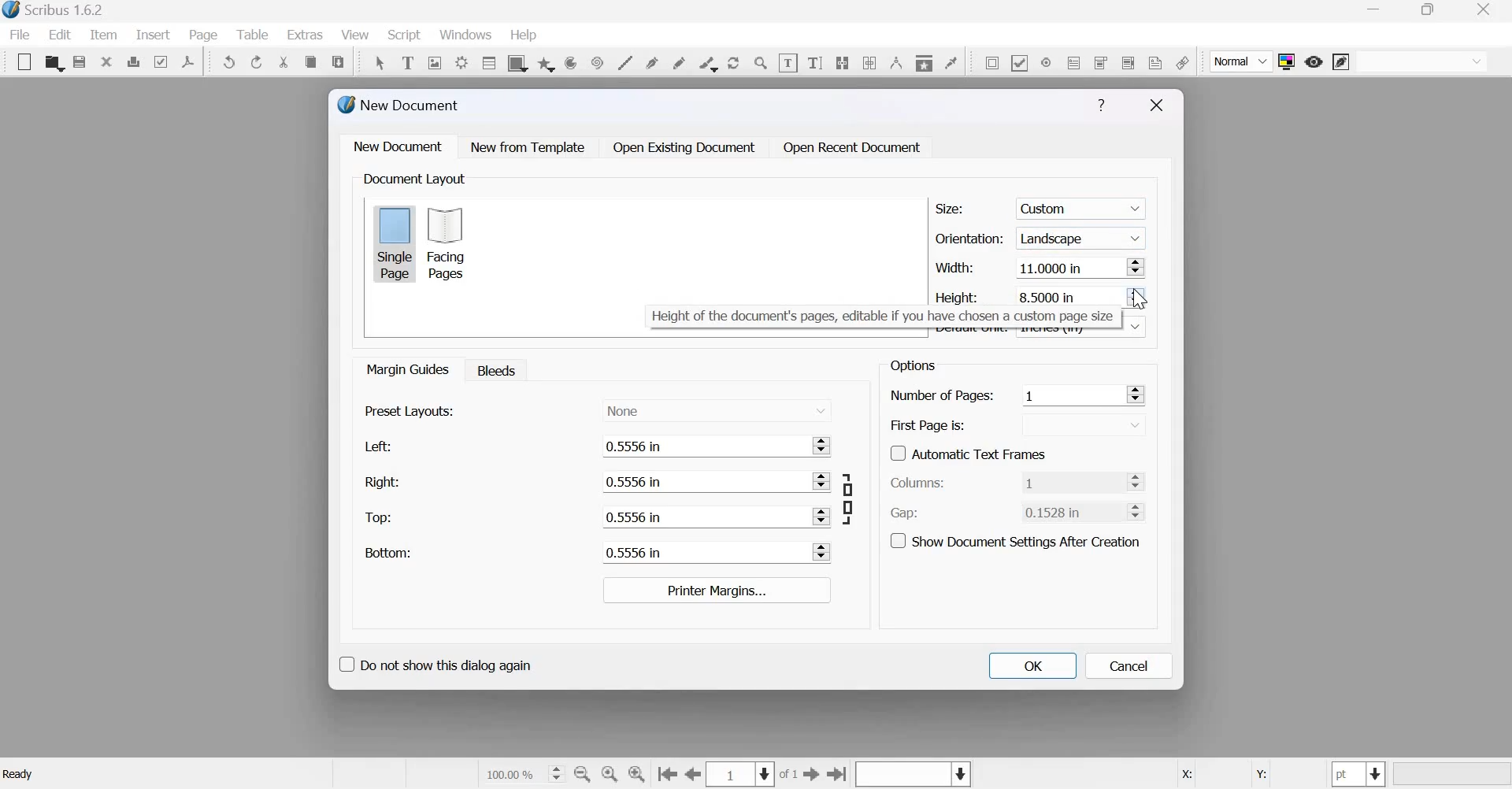  Describe the element at coordinates (1019, 61) in the screenshot. I see `PDF check box` at that location.